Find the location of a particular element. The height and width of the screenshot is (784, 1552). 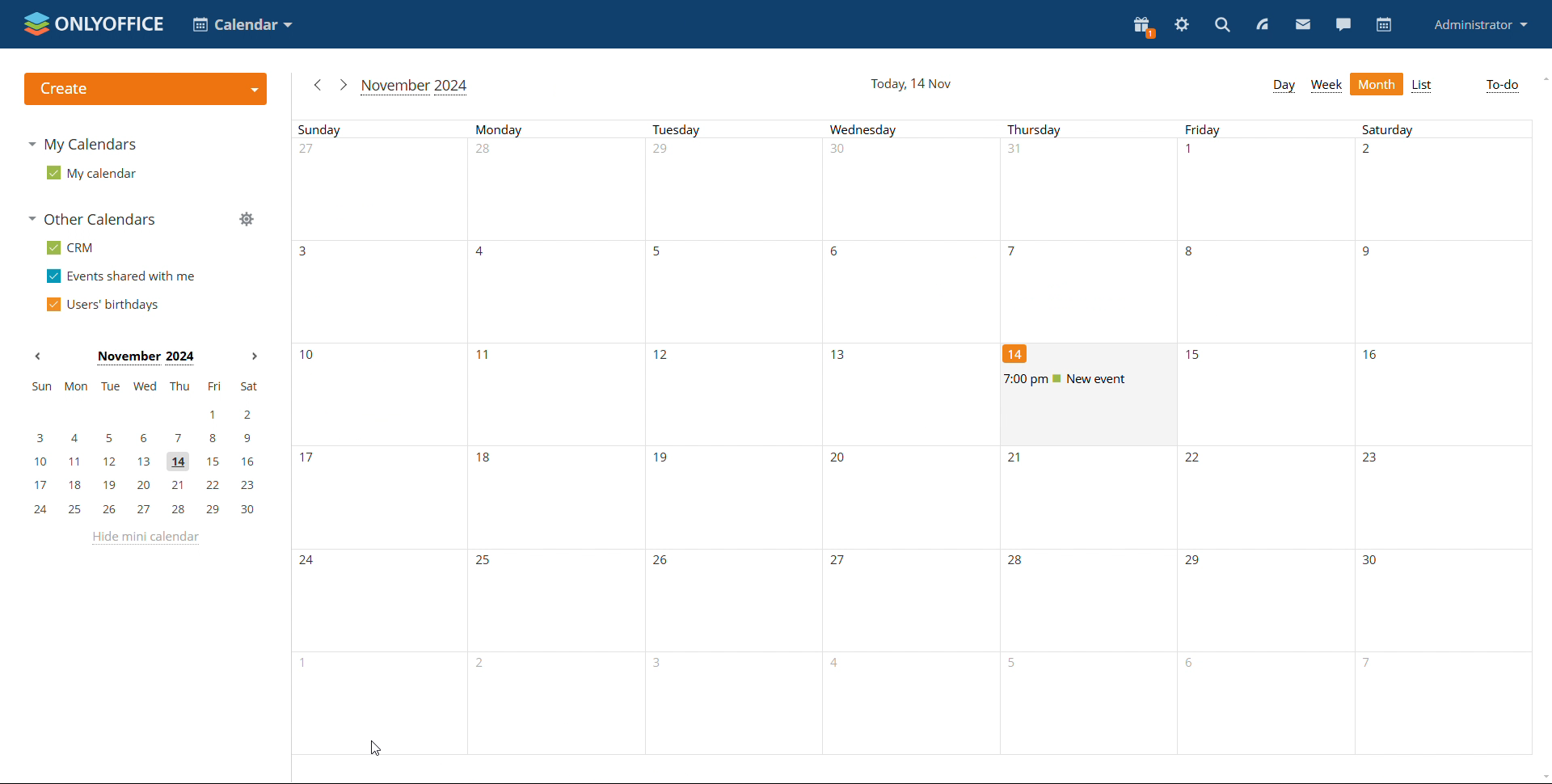

settings is located at coordinates (1183, 24).